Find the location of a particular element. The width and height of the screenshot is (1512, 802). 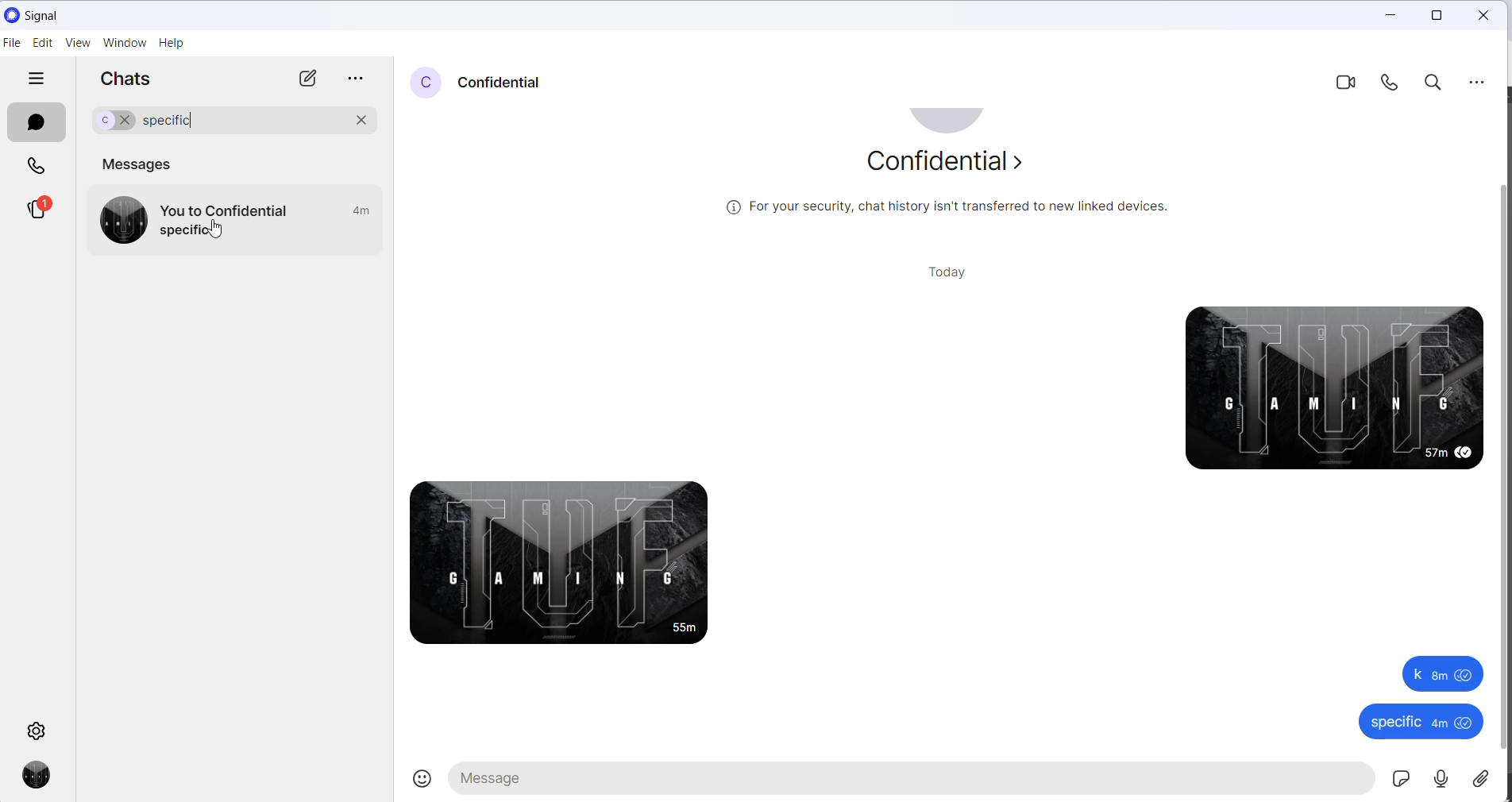

video call is located at coordinates (1346, 83).